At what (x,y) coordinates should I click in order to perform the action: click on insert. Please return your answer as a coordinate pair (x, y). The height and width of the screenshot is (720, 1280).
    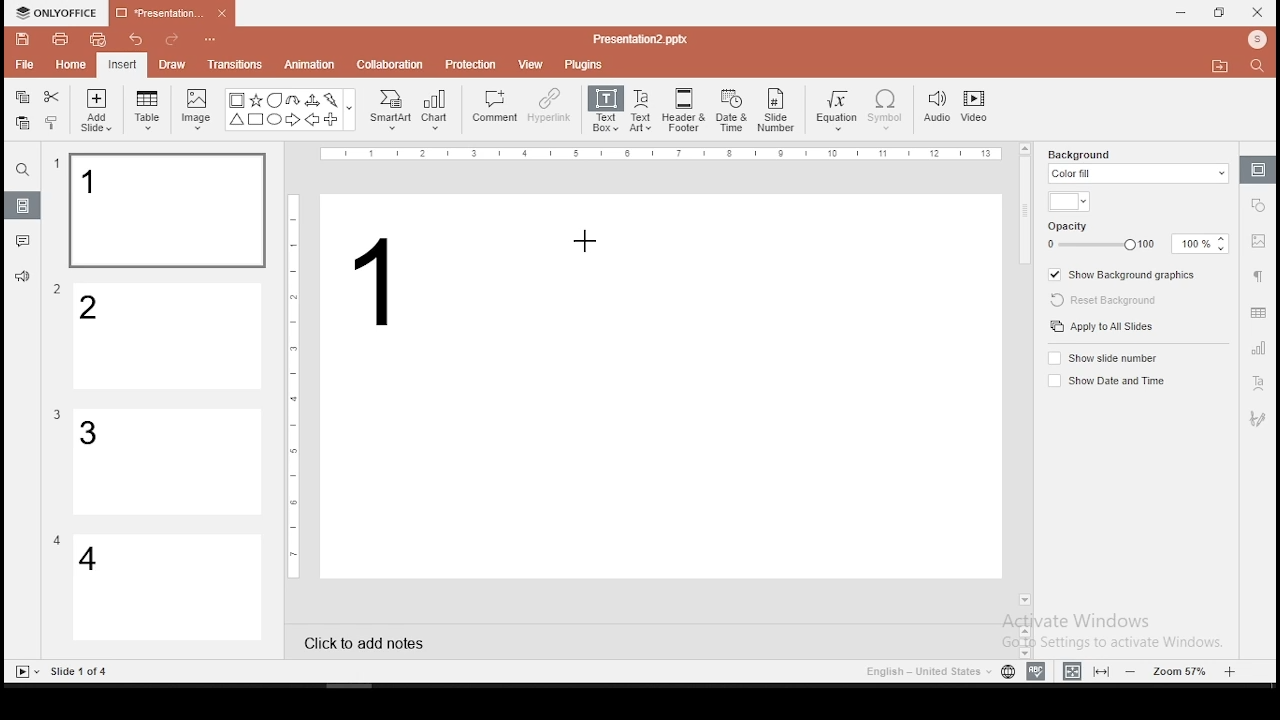
    Looking at the image, I should click on (121, 64).